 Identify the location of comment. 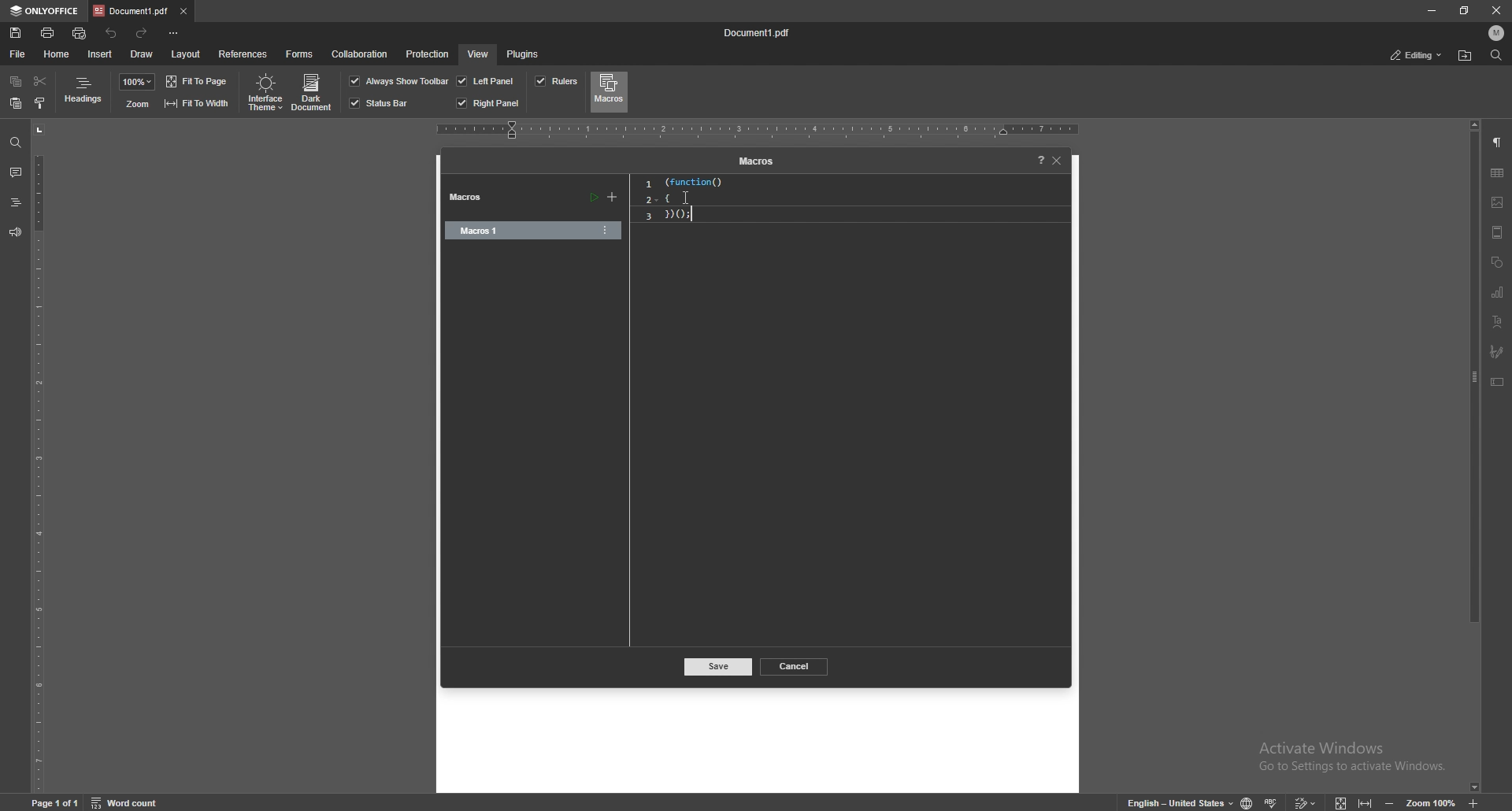
(15, 172).